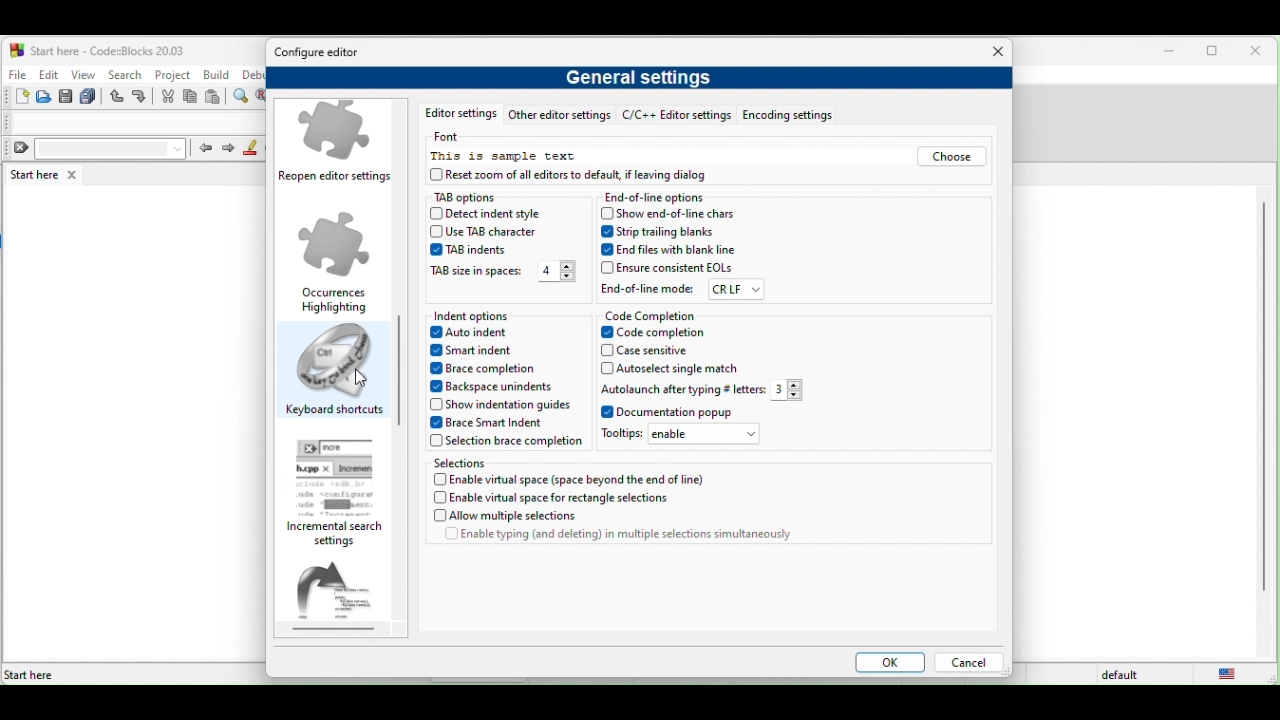  I want to click on documentation popup, so click(671, 413).